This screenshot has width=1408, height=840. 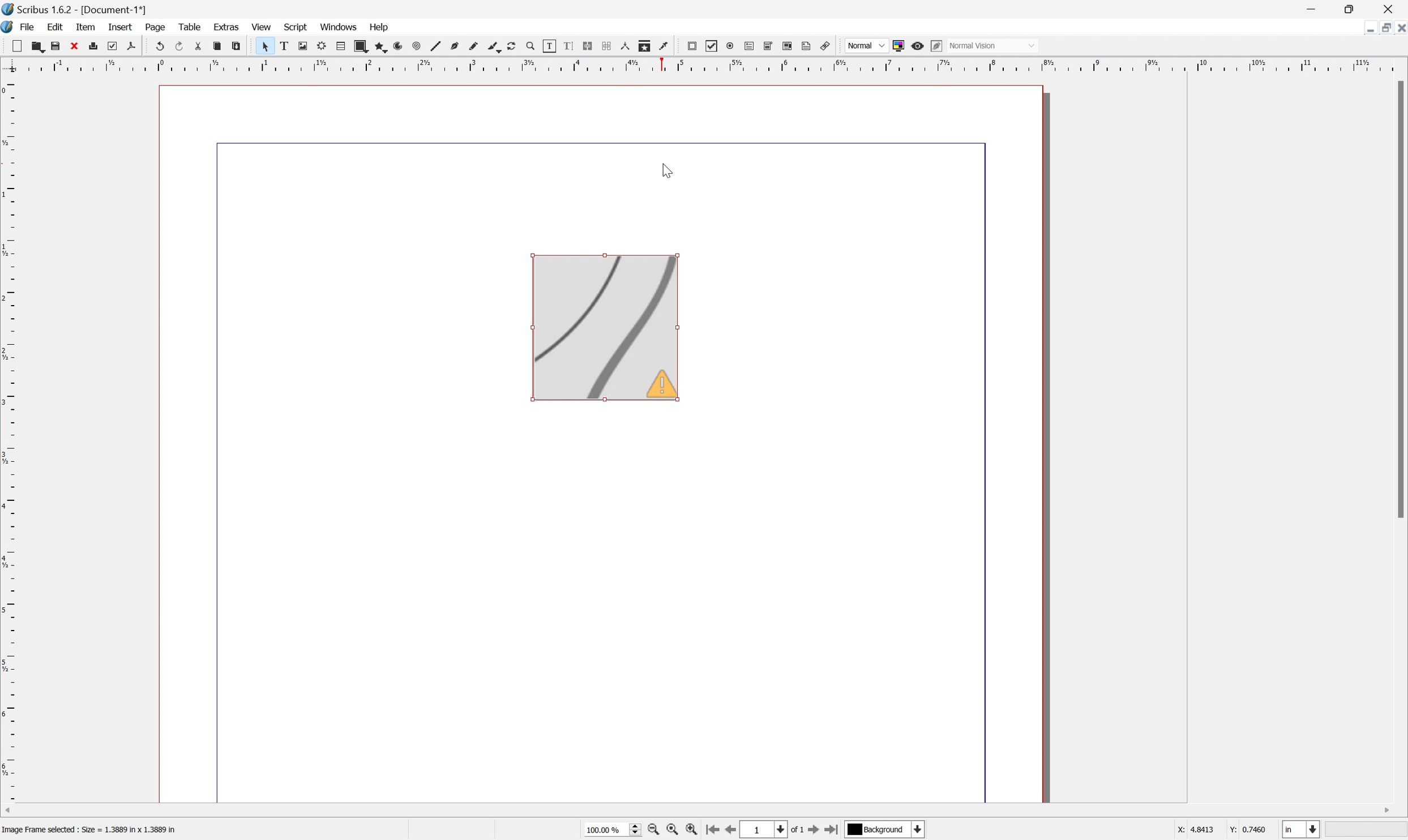 What do you see at coordinates (591, 46) in the screenshot?
I see `Link text frames` at bounding box center [591, 46].